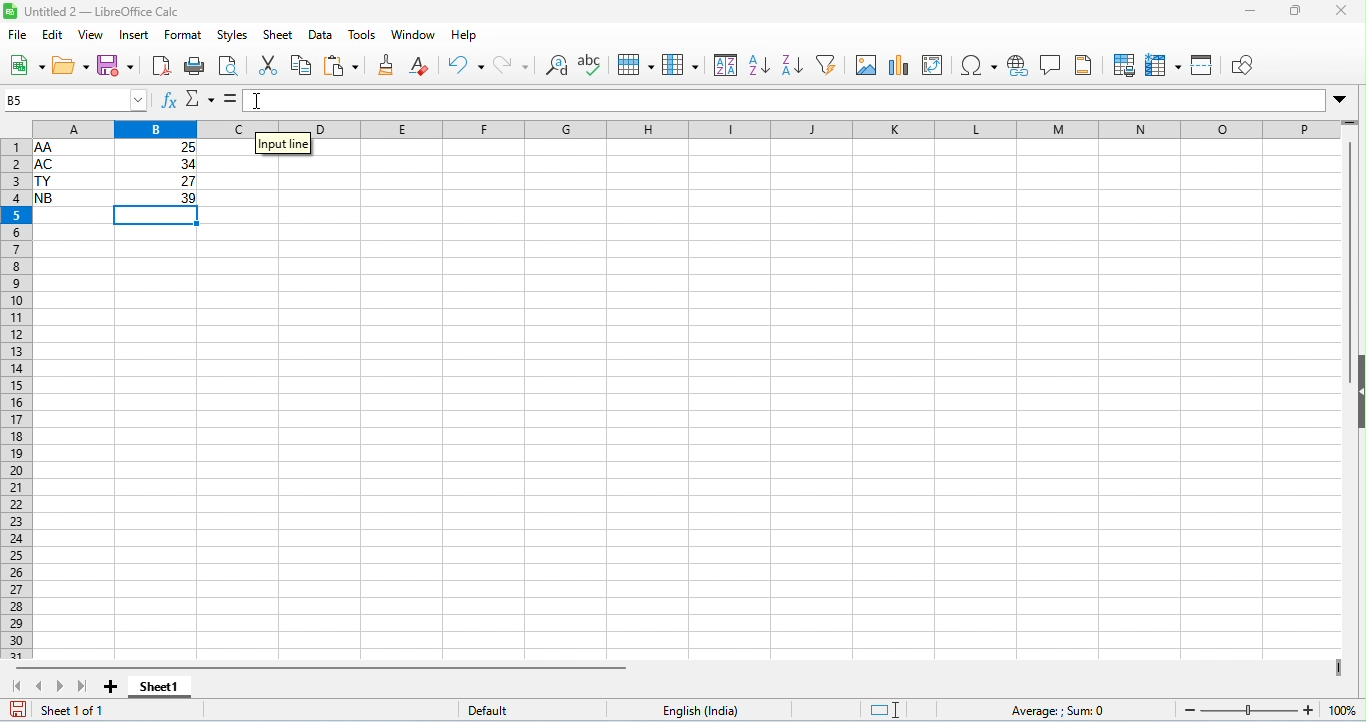  I want to click on formula bar, so click(785, 100).